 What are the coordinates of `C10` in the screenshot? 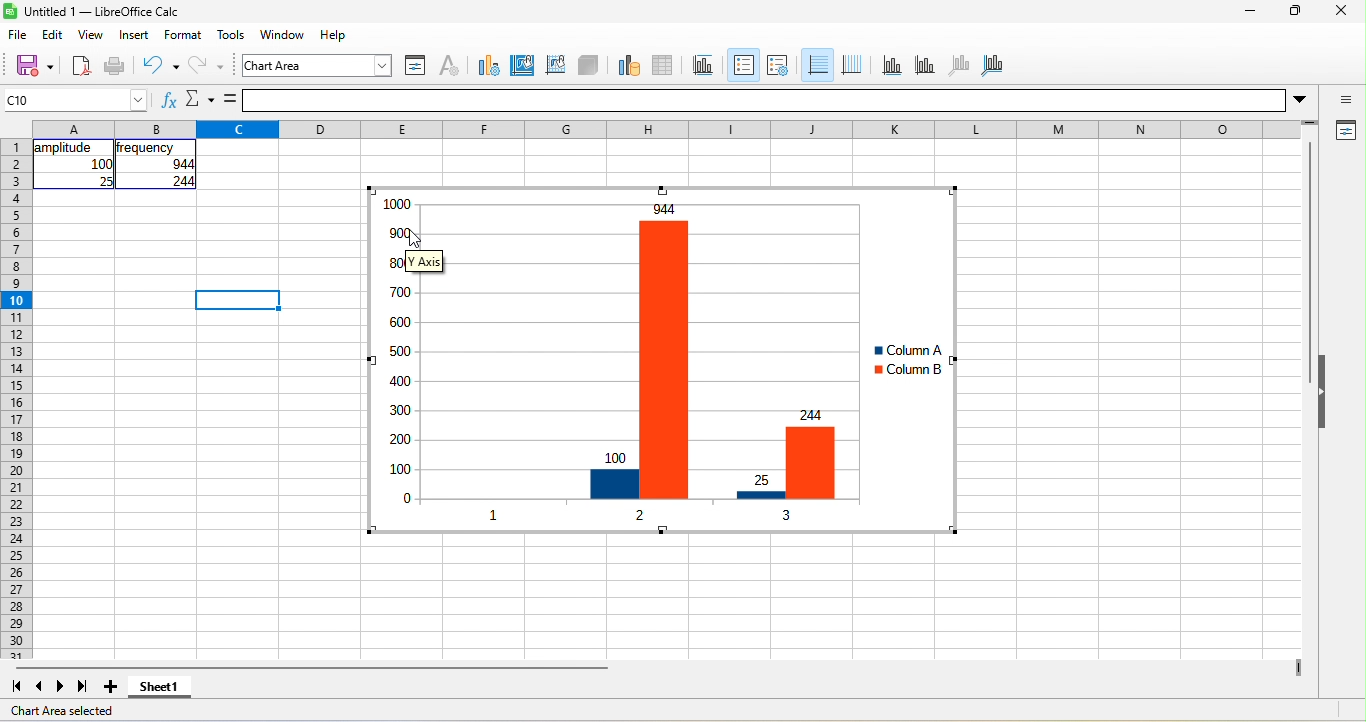 It's located at (76, 100).